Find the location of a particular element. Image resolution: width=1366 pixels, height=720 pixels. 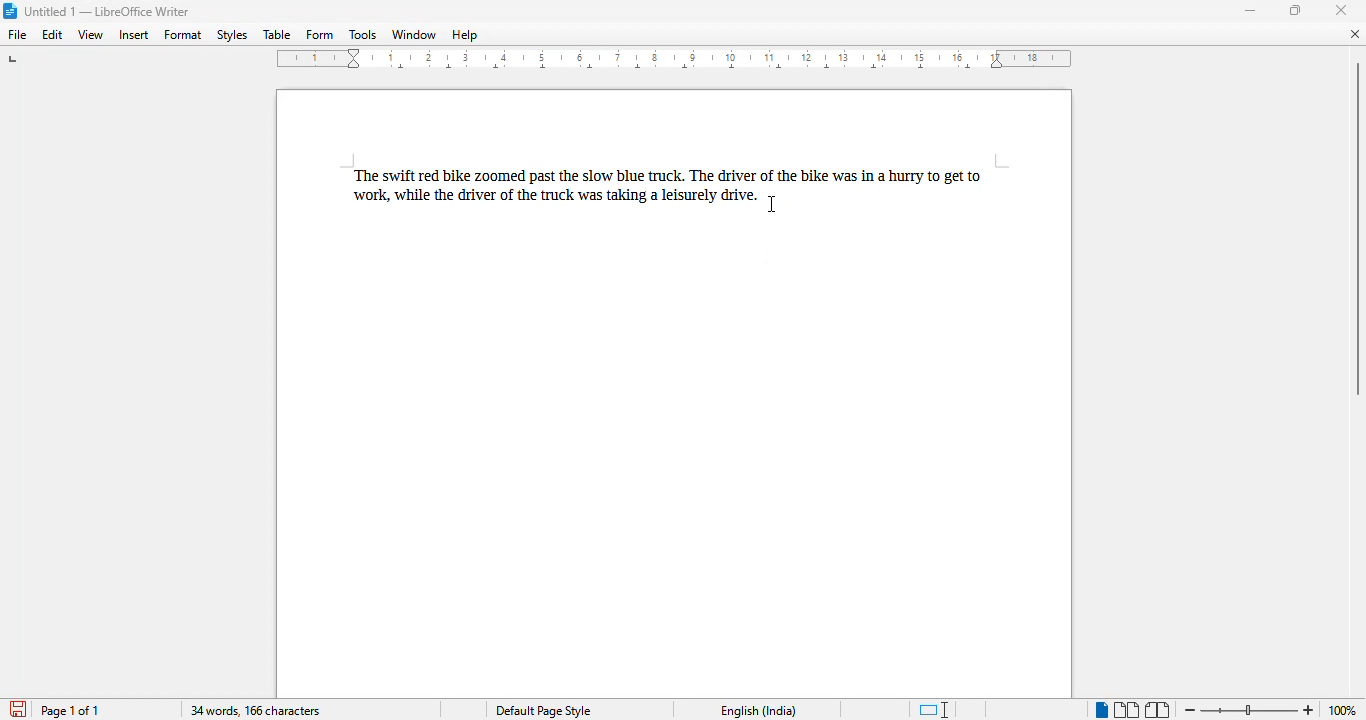

edit is located at coordinates (53, 34).